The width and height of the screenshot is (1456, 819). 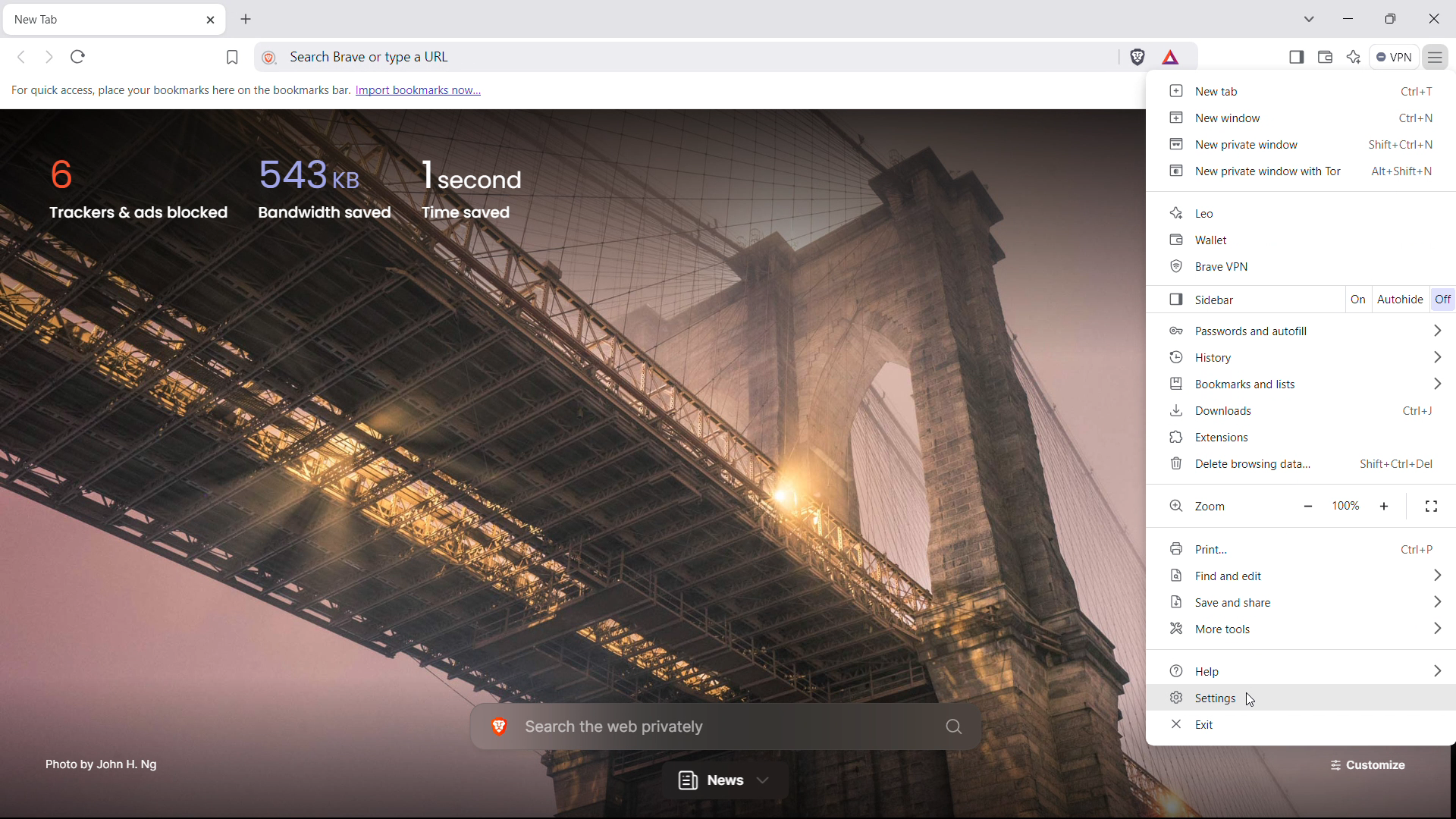 What do you see at coordinates (1303, 463) in the screenshot?
I see `delete browsing data` at bounding box center [1303, 463].